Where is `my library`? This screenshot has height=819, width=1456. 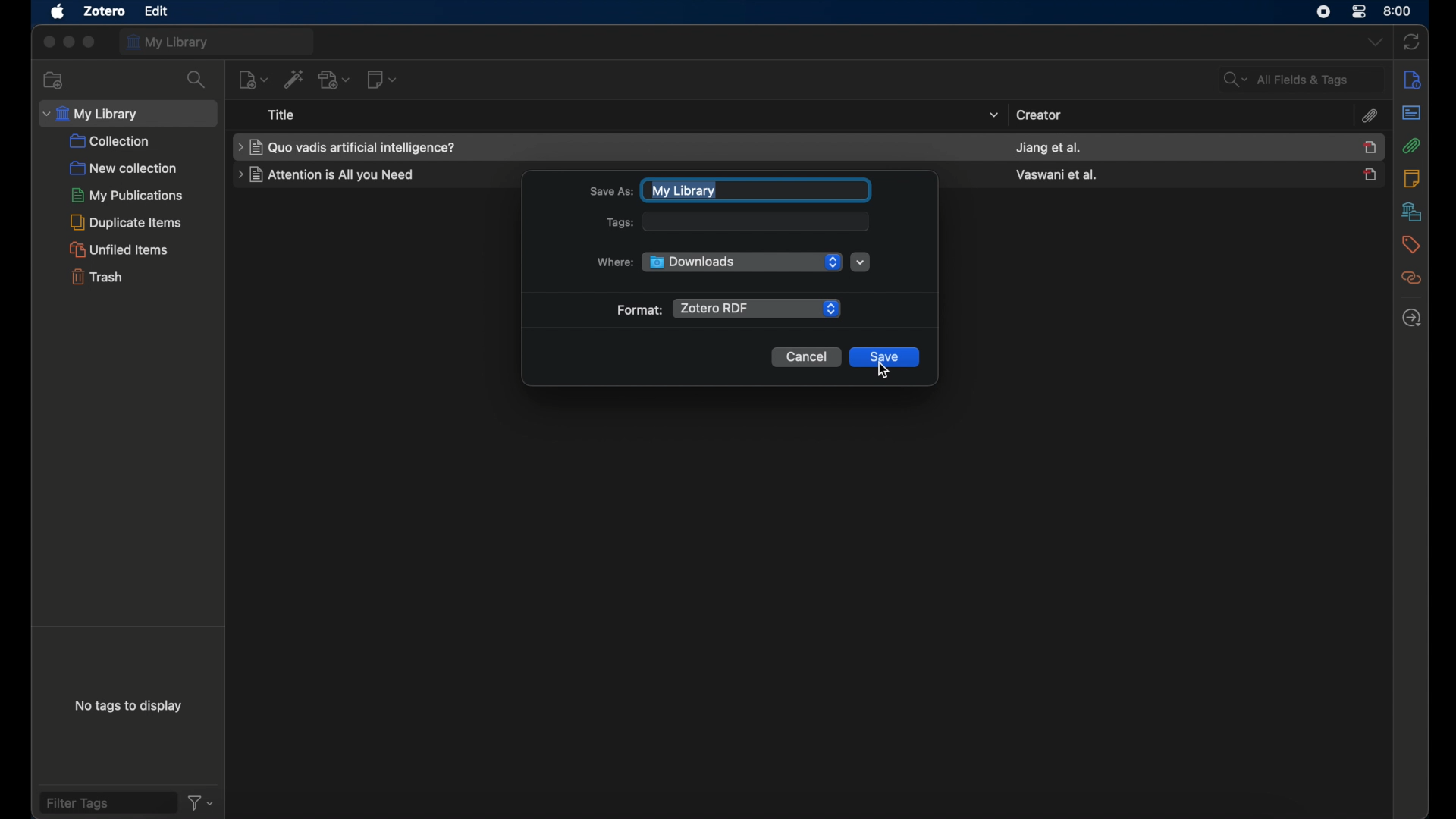
my library is located at coordinates (682, 190).